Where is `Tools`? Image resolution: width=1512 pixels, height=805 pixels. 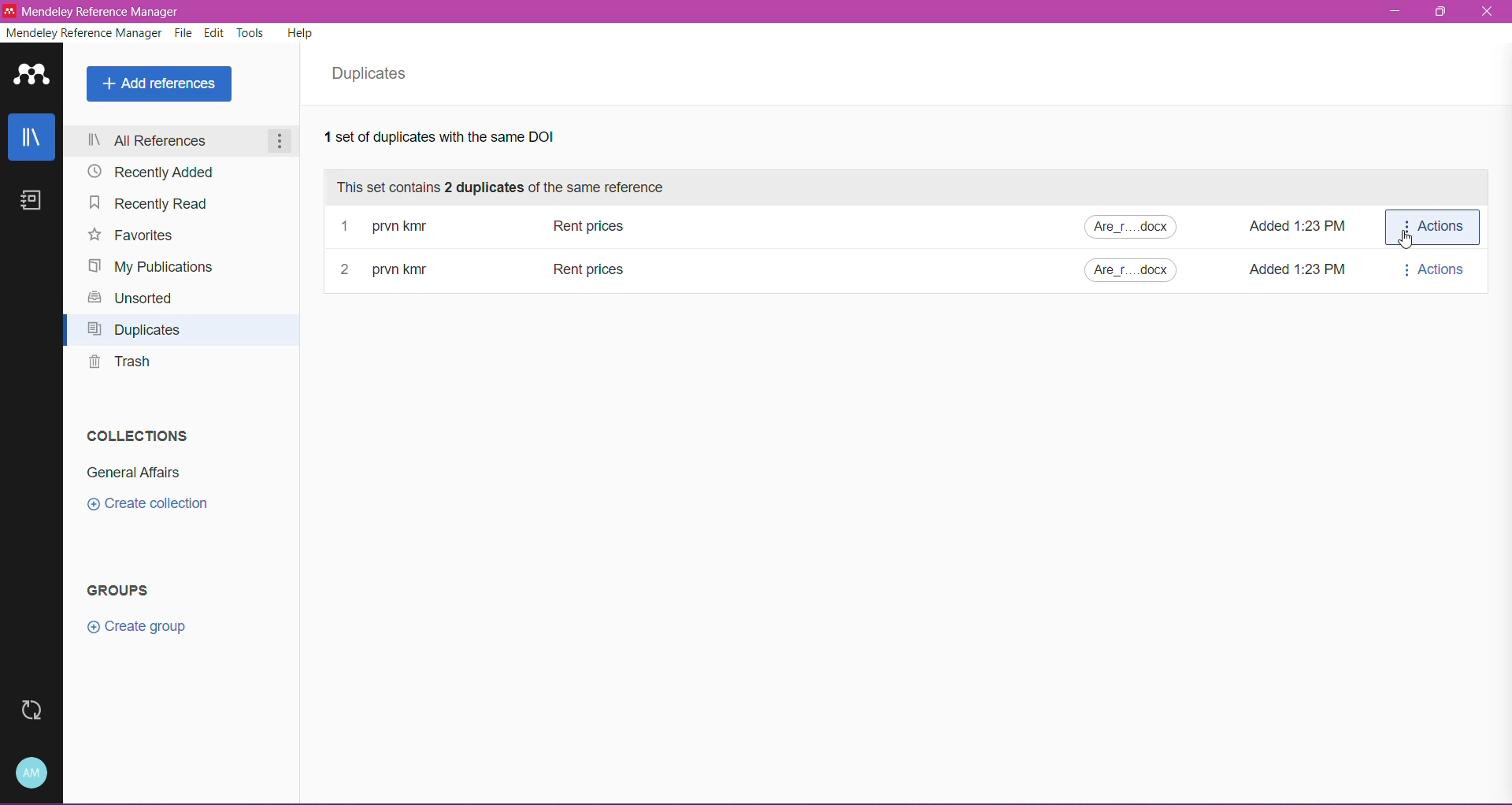 Tools is located at coordinates (251, 32).